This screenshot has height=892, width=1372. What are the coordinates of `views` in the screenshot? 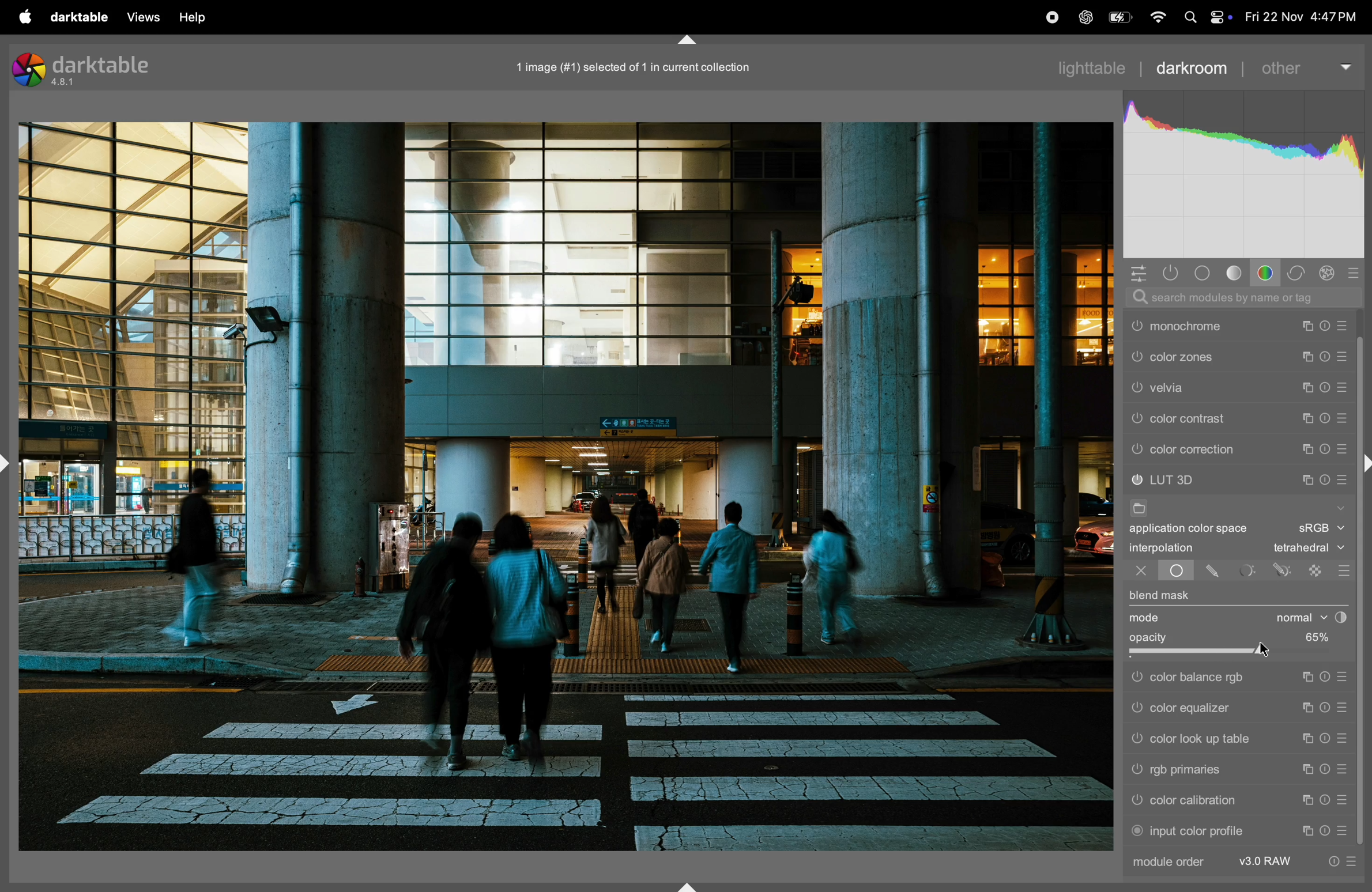 It's located at (144, 17).